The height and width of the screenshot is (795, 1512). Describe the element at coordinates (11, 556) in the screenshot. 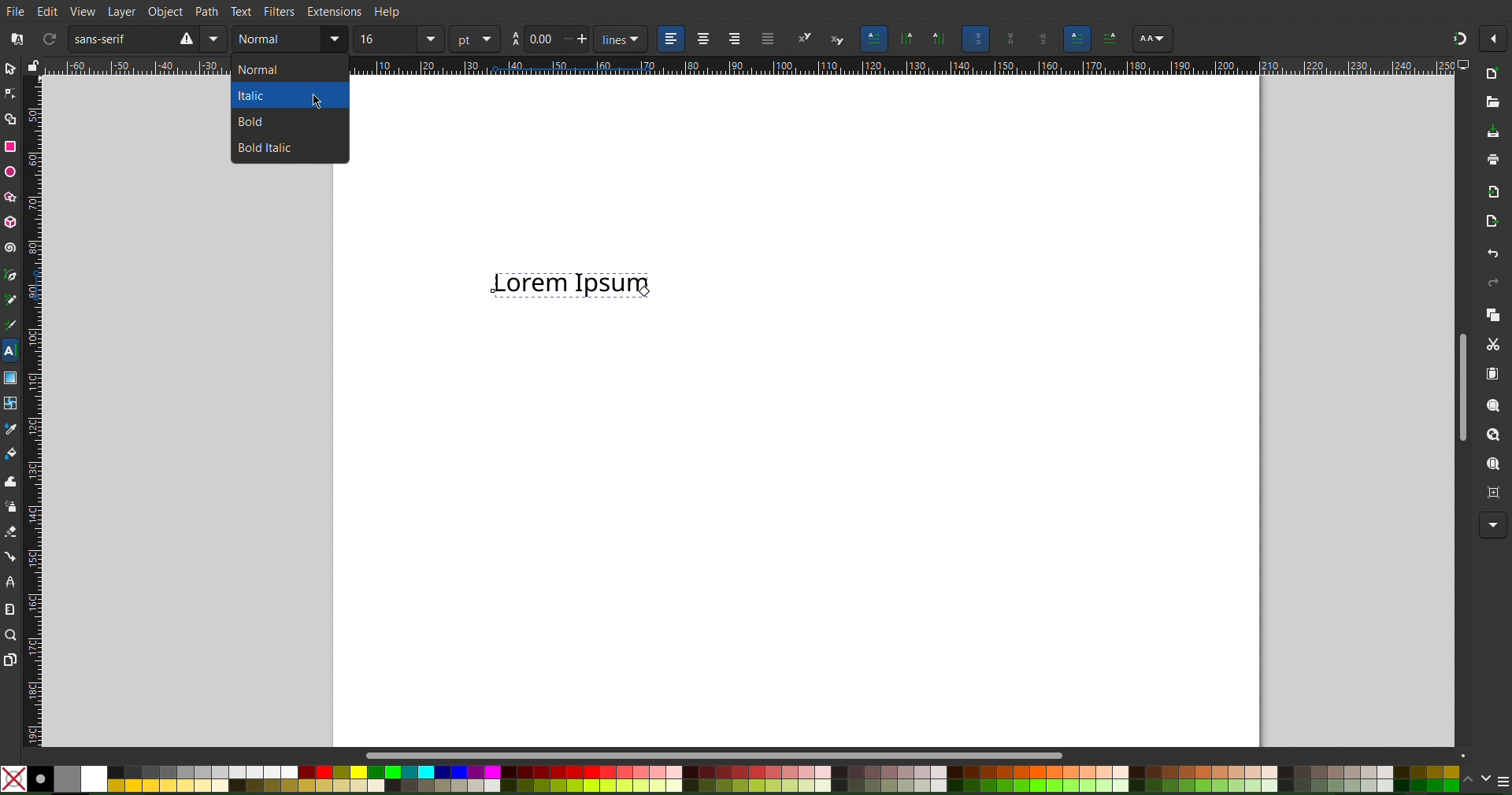

I see `Connection` at that location.